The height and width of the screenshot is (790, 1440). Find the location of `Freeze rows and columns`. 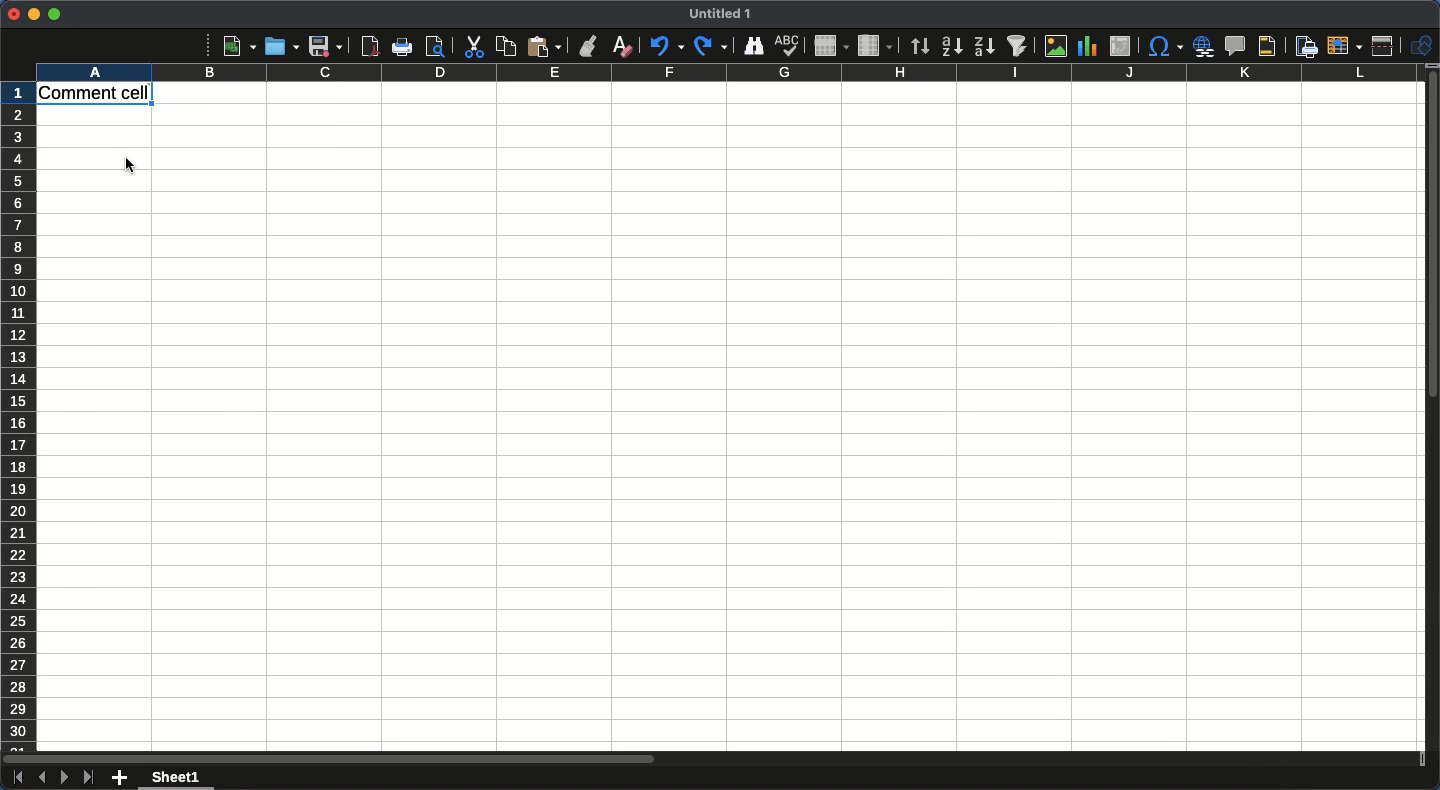

Freeze rows and columns is located at coordinates (1344, 45).